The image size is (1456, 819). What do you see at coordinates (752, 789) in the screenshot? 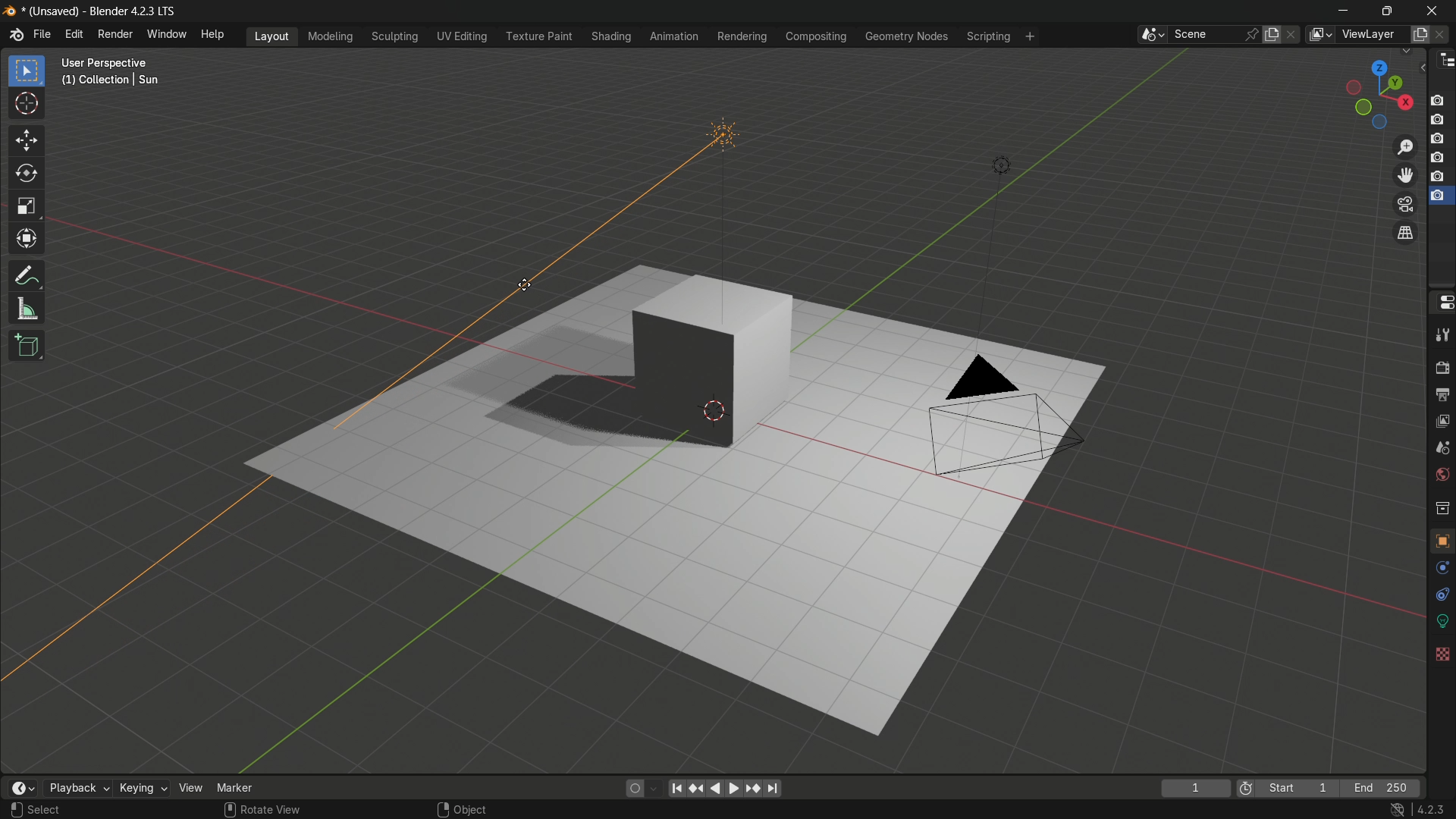
I see `jump to keyframe` at bounding box center [752, 789].